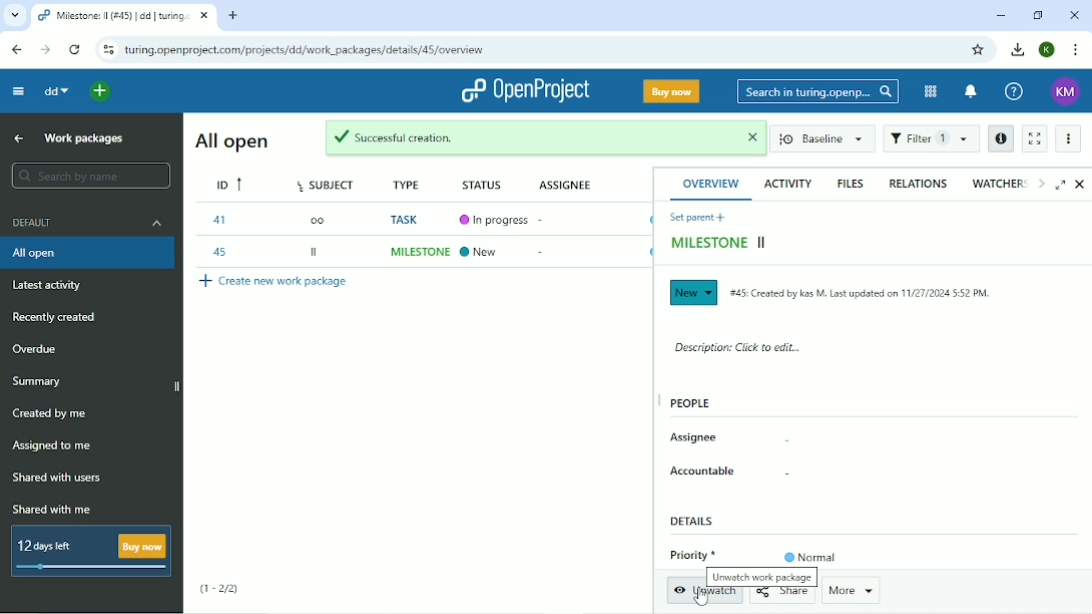  Describe the element at coordinates (1065, 92) in the screenshot. I see `KM` at that location.